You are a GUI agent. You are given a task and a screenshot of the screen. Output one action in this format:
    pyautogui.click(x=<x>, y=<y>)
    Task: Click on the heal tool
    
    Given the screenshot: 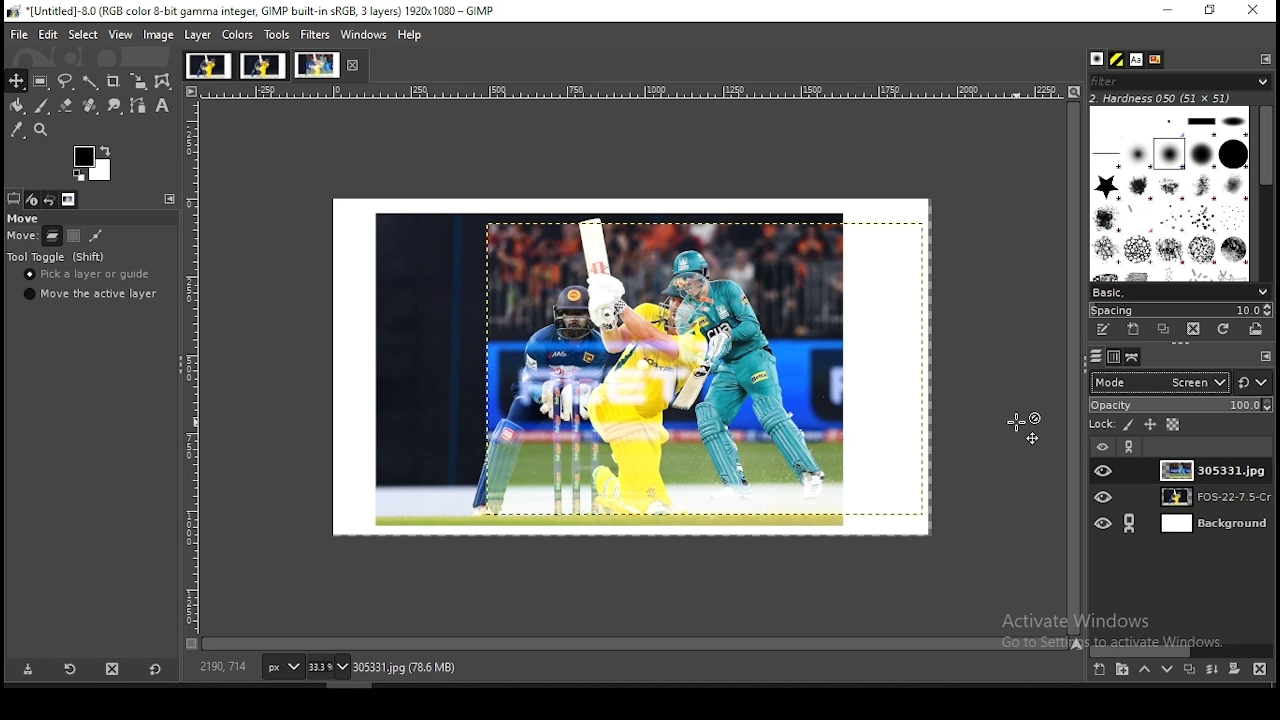 What is the action you would take?
    pyautogui.click(x=90, y=105)
    